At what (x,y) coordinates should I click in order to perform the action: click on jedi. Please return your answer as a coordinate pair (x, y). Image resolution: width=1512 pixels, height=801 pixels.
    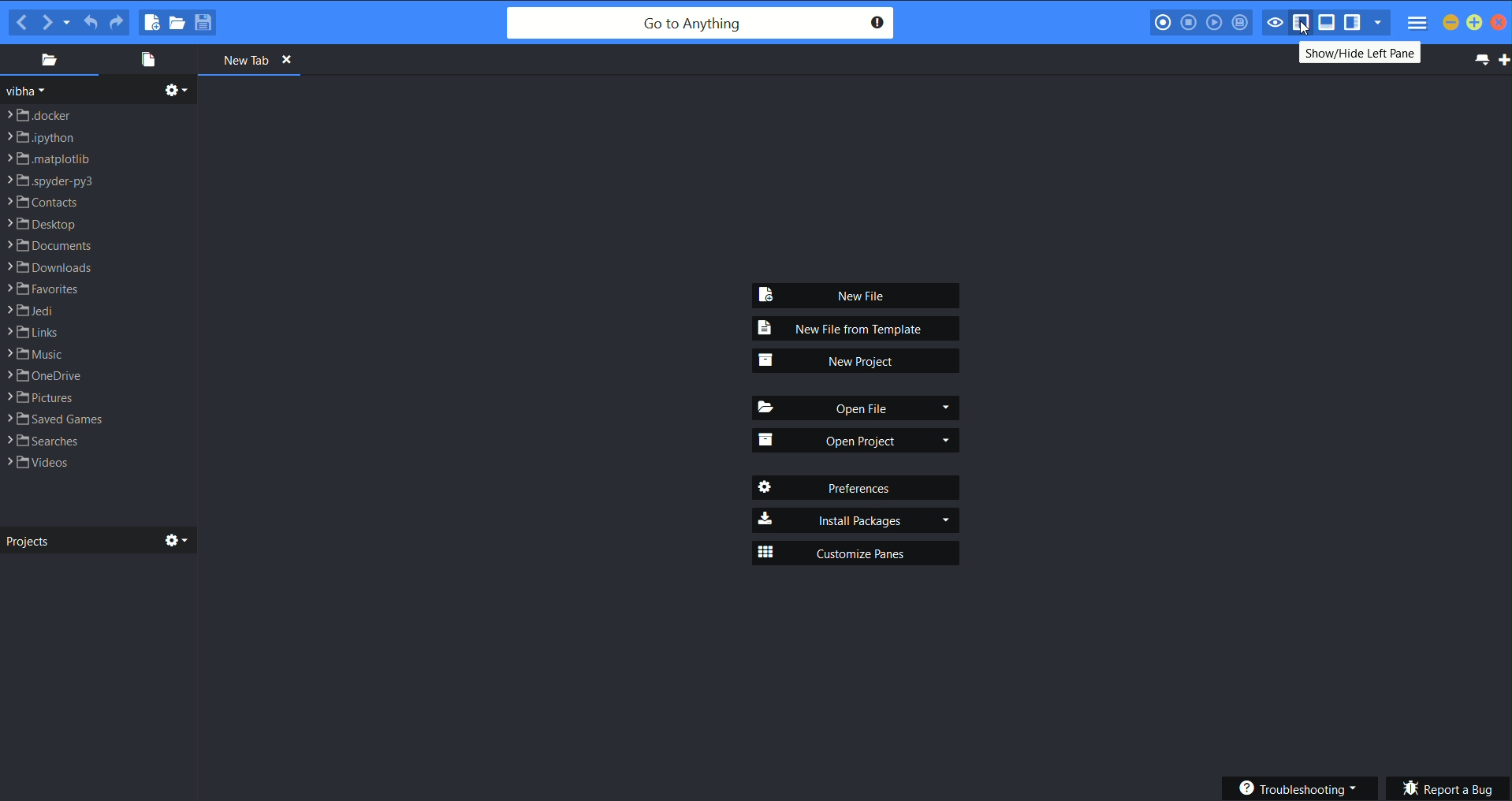
    Looking at the image, I should click on (32, 311).